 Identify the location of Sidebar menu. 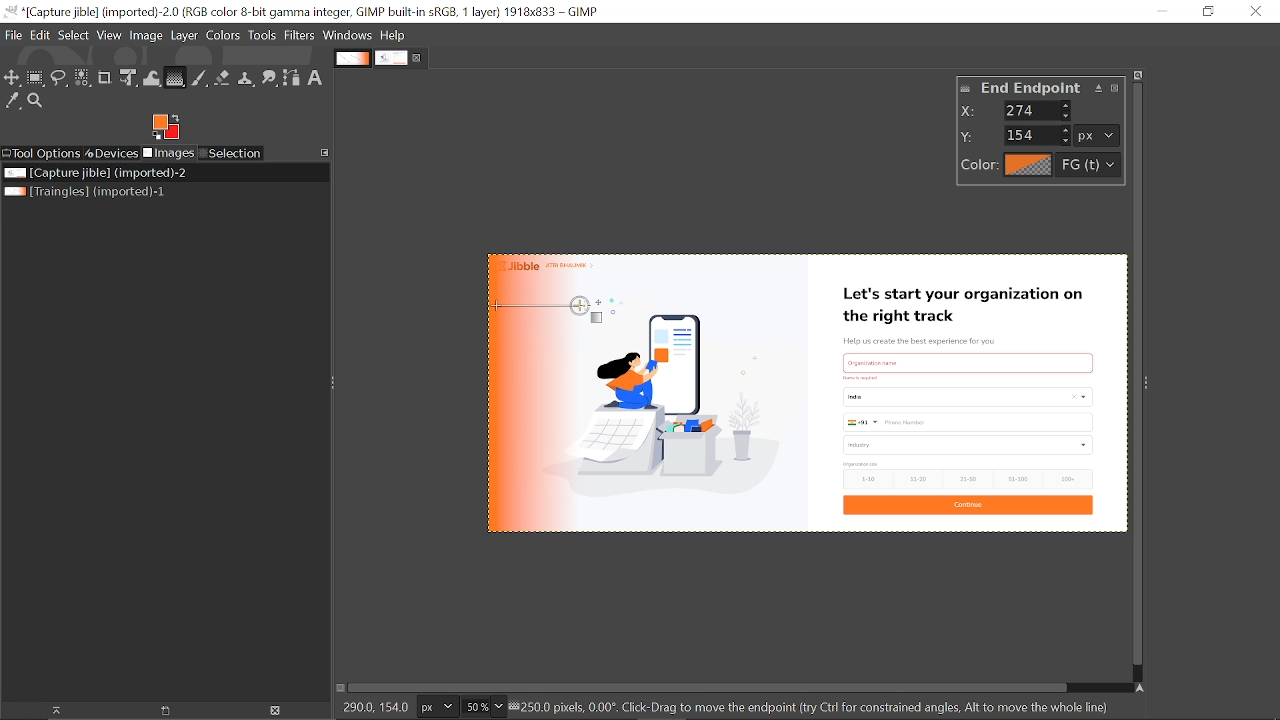
(1152, 379).